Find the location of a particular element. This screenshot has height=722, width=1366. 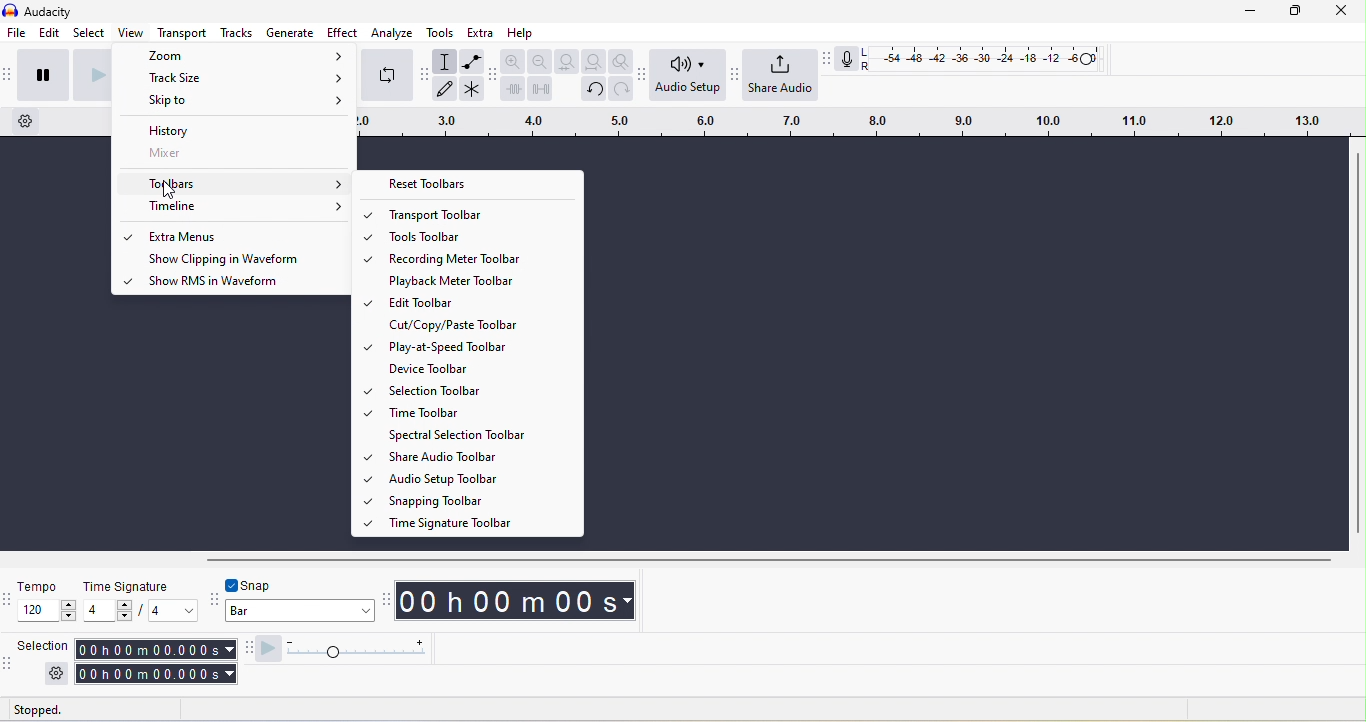

snapping toolbar is located at coordinates (213, 601).